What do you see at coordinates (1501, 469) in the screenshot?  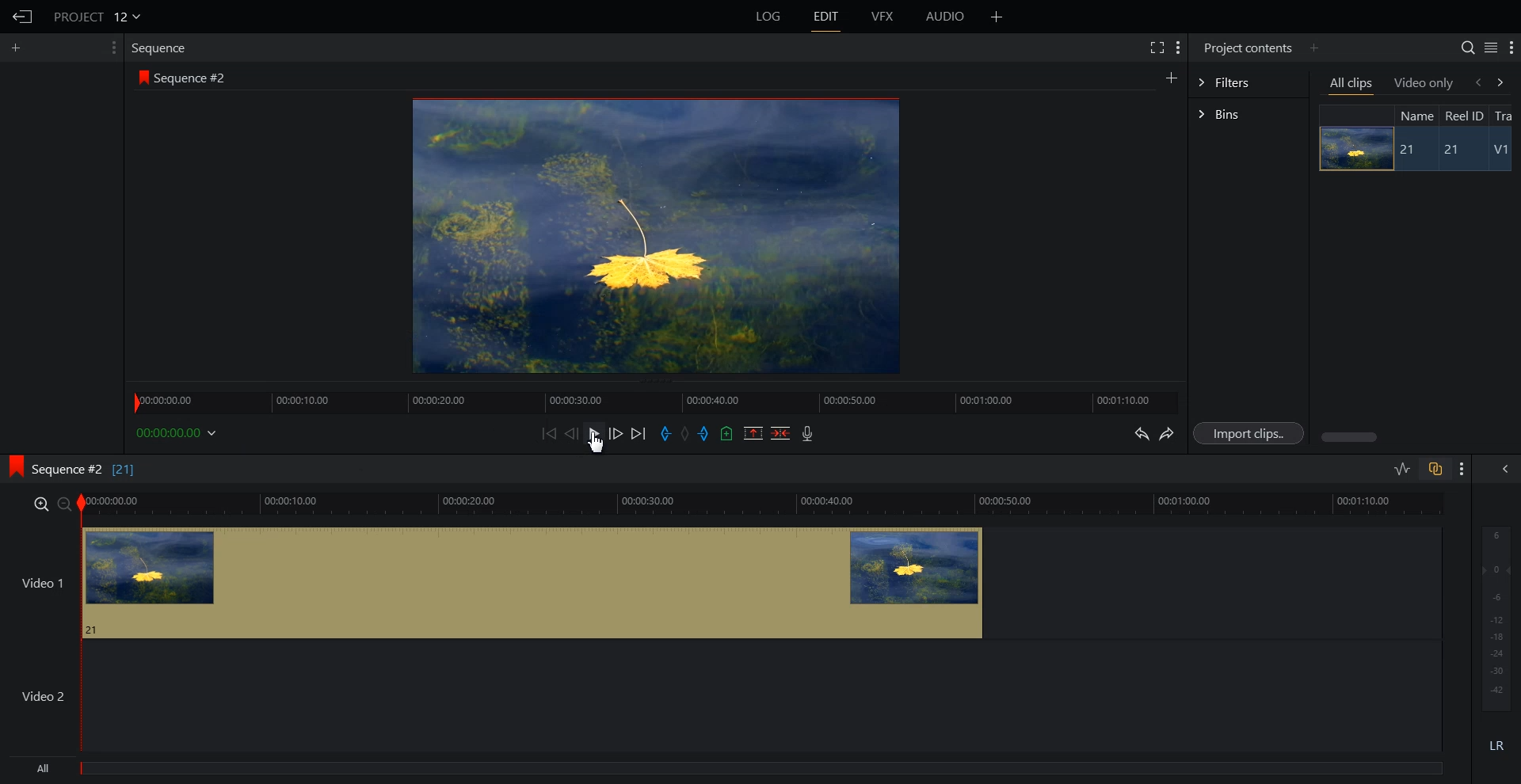 I see `Show the full audio mix` at bounding box center [1501, 469].